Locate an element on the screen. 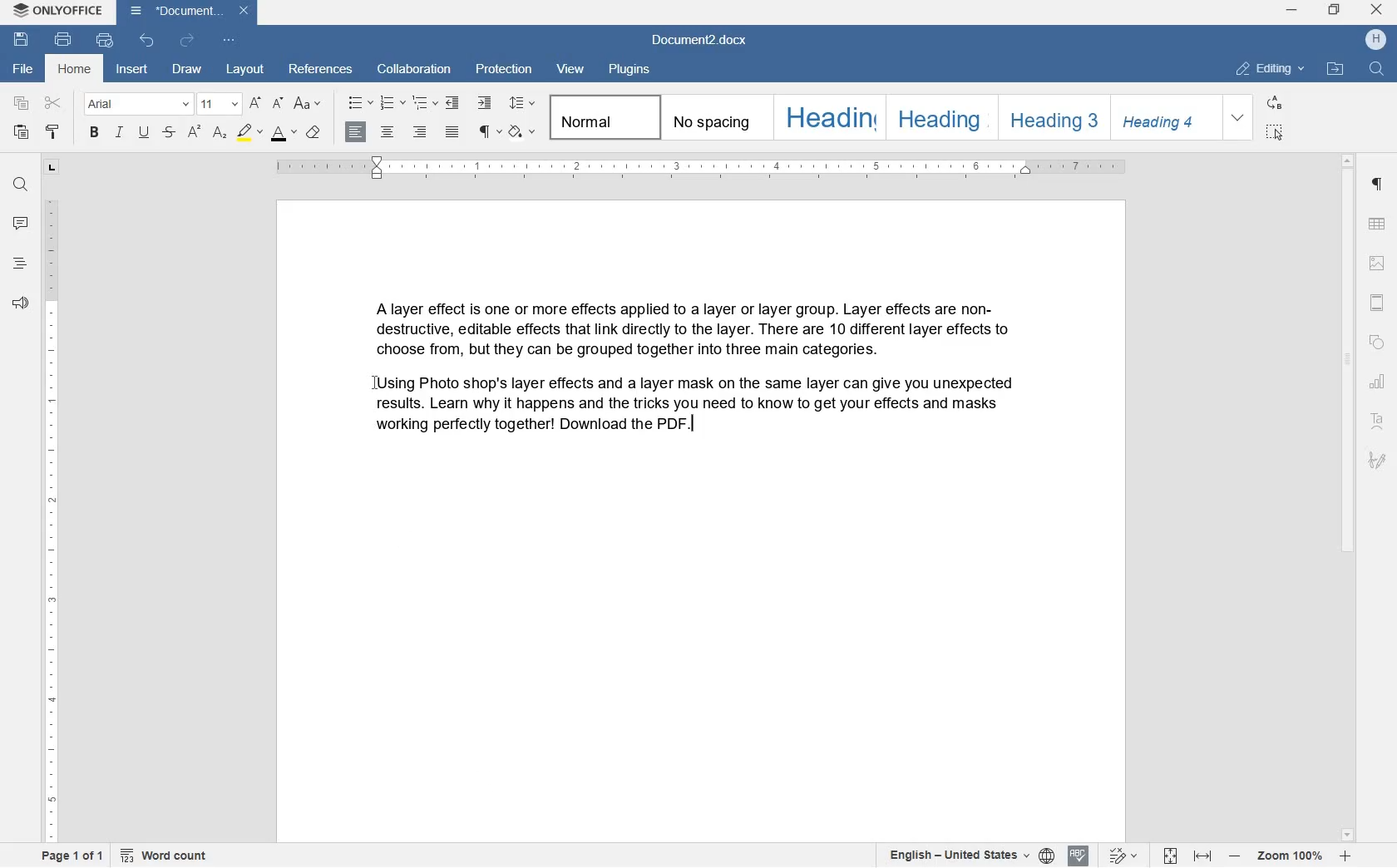  SUBSCRIPT is located at coordinates (219, 133).